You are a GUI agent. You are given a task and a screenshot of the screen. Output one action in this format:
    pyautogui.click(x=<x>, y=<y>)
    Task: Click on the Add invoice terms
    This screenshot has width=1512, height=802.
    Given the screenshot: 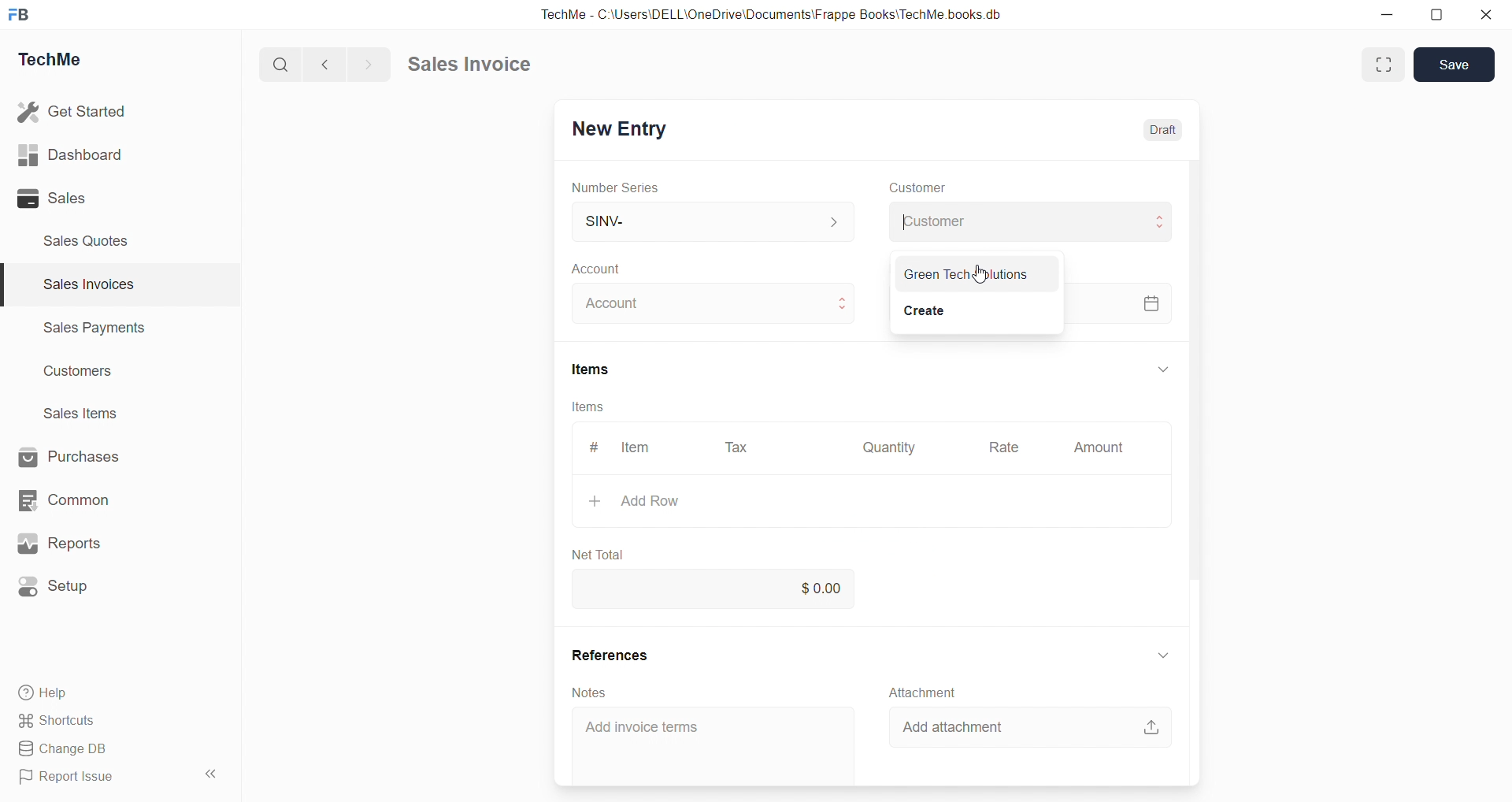 What is the action you would take?
    pyautogui.click(x=643, y=727)
    